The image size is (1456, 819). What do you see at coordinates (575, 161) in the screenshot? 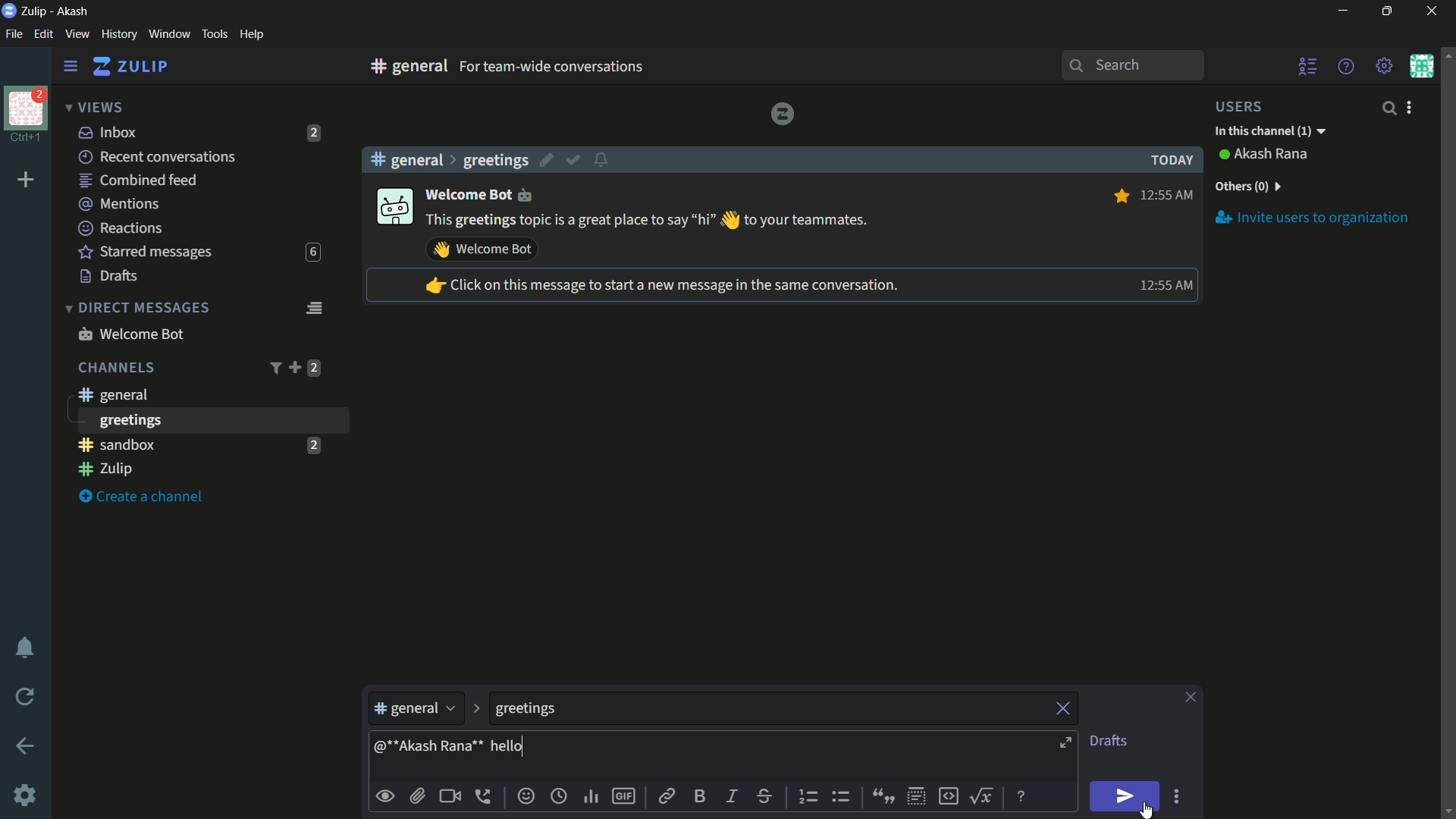
I see `mark as resolved` at bounding box center [575, 161].